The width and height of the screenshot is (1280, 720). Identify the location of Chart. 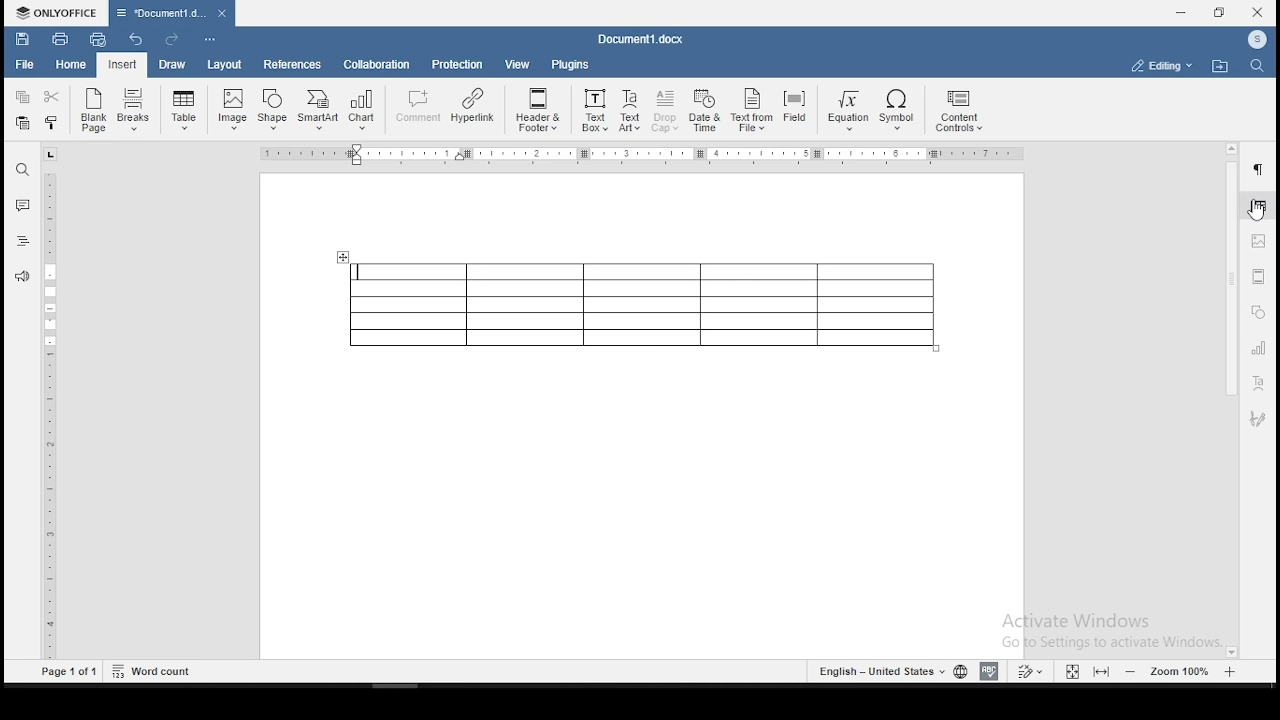
(361, 112).